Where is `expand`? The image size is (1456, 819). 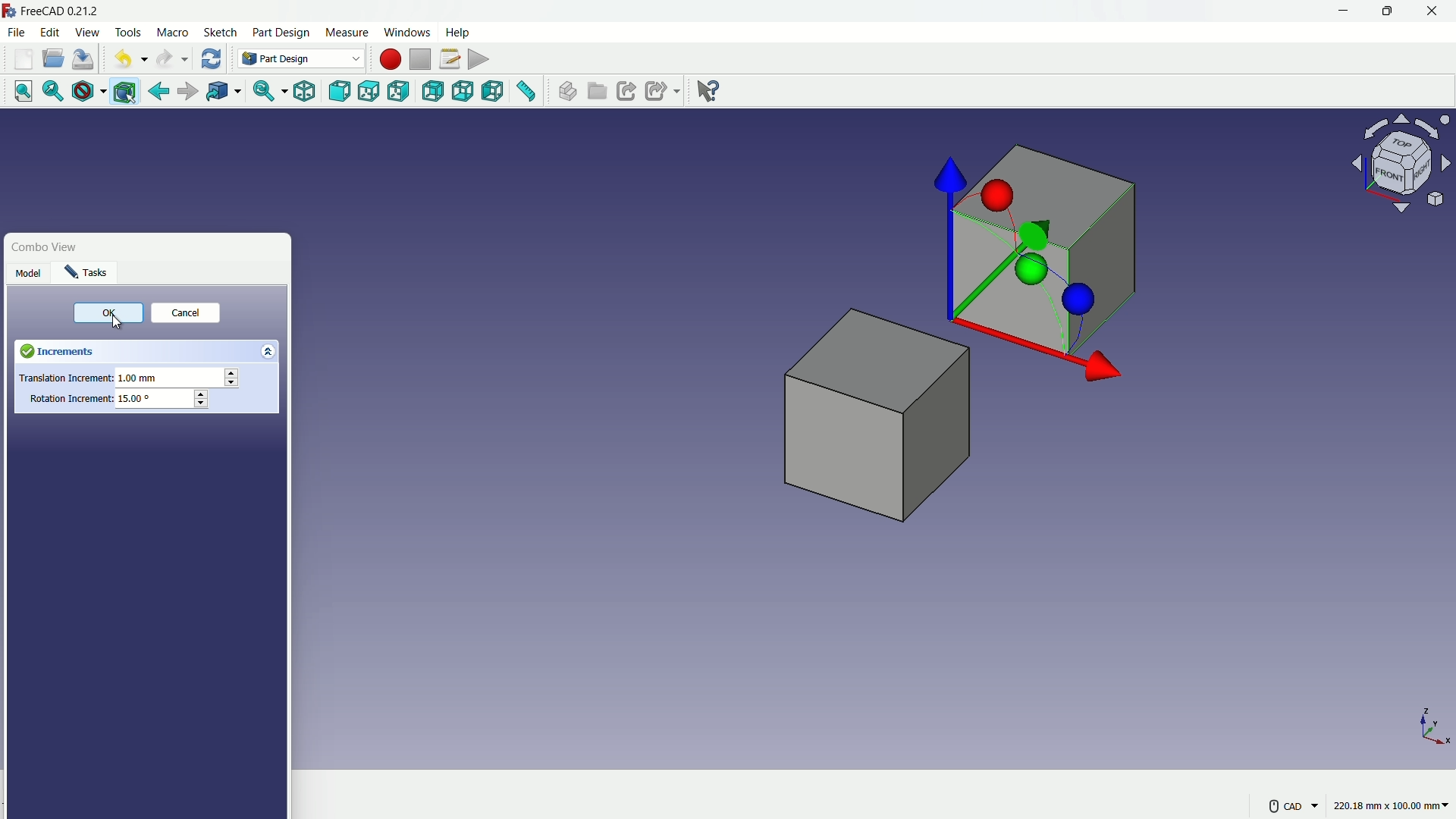
expand is located at coordinates (271, 350).